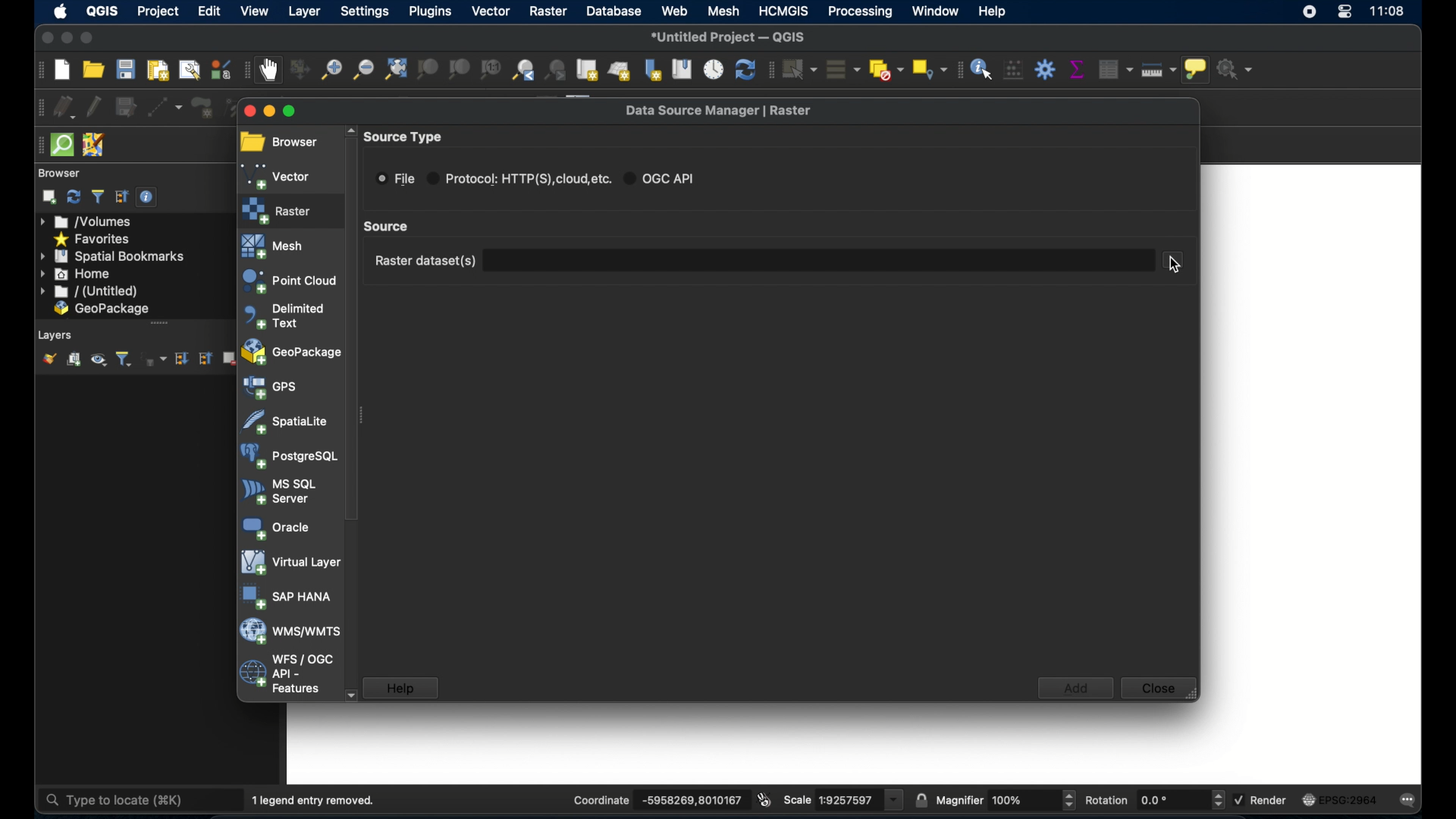 The image size is (1456, 819). I want to click on zoom to layer, so click(458, 69).